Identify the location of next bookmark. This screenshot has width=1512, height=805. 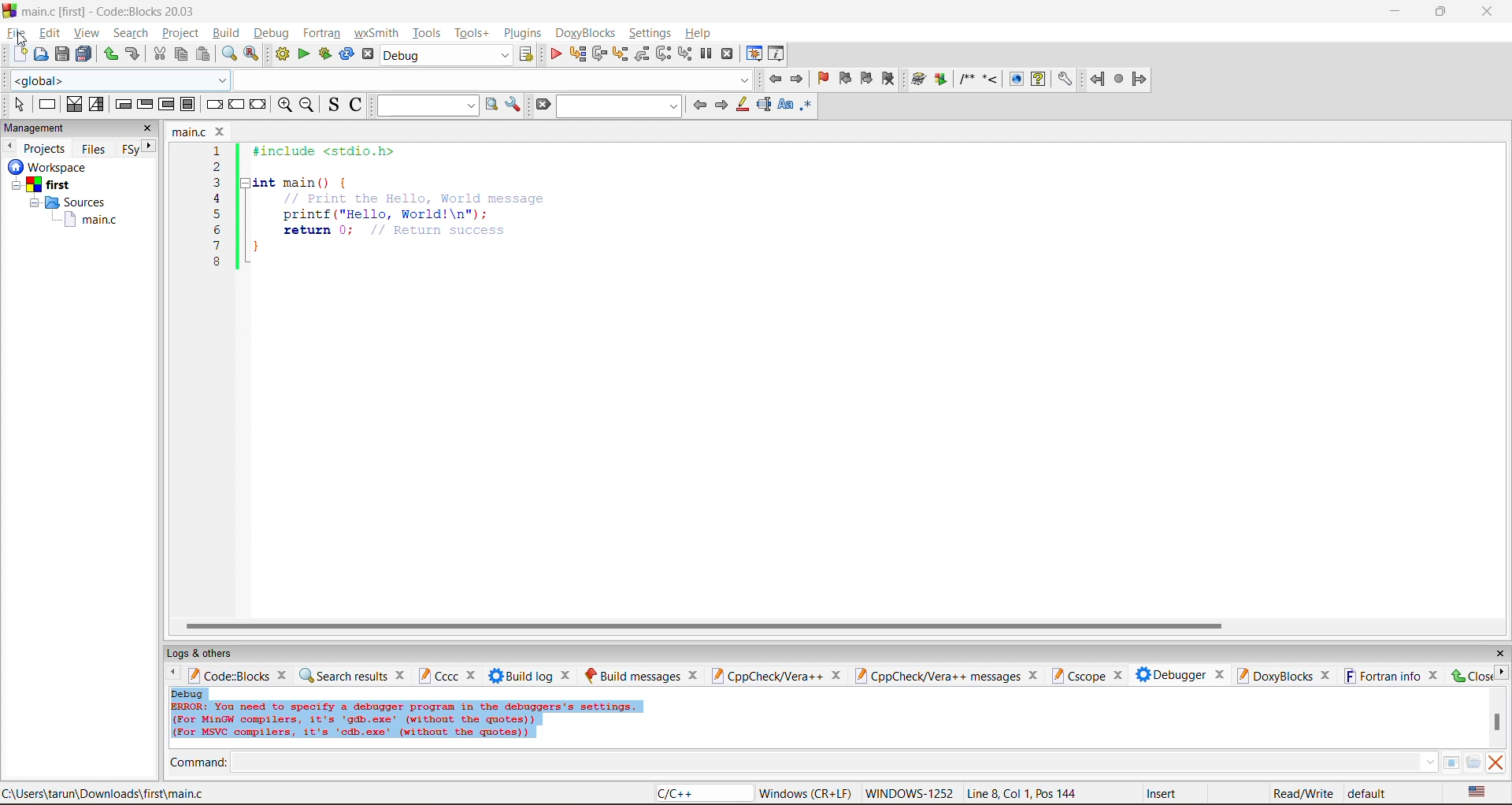
(868, 76).